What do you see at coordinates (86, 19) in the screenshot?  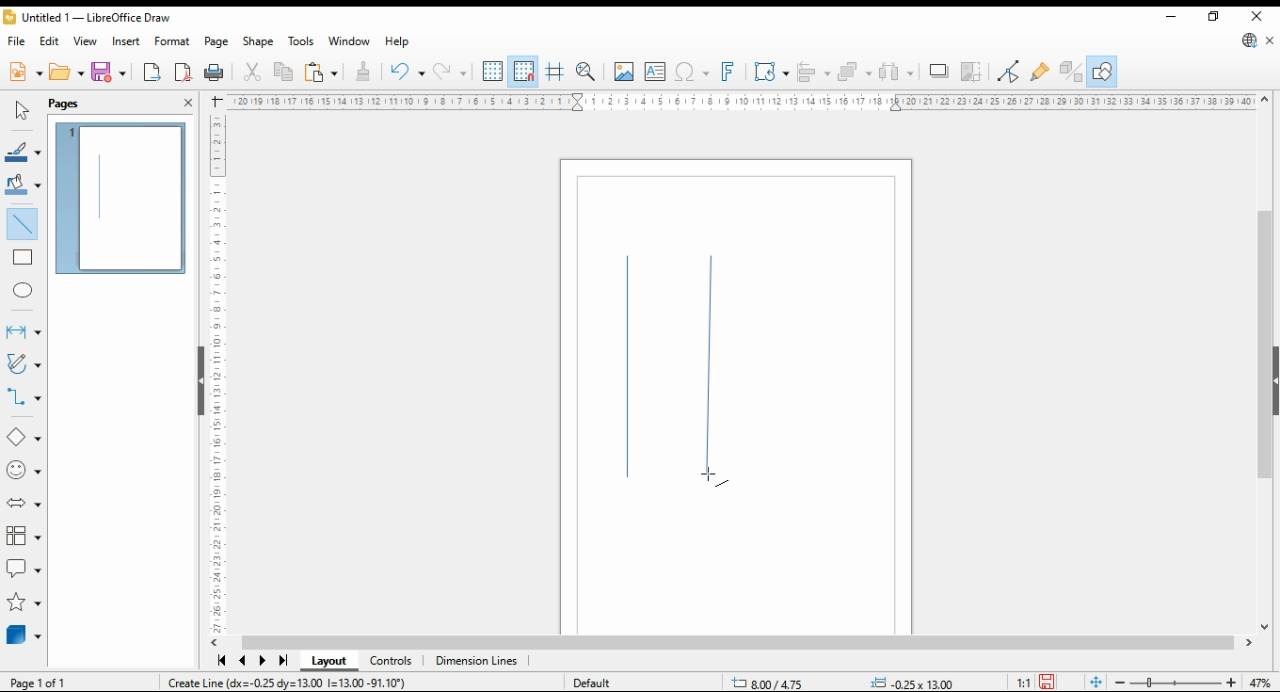 I see `Untitled 1 - LibreOffice Draw` at bounding box center [86, 19].